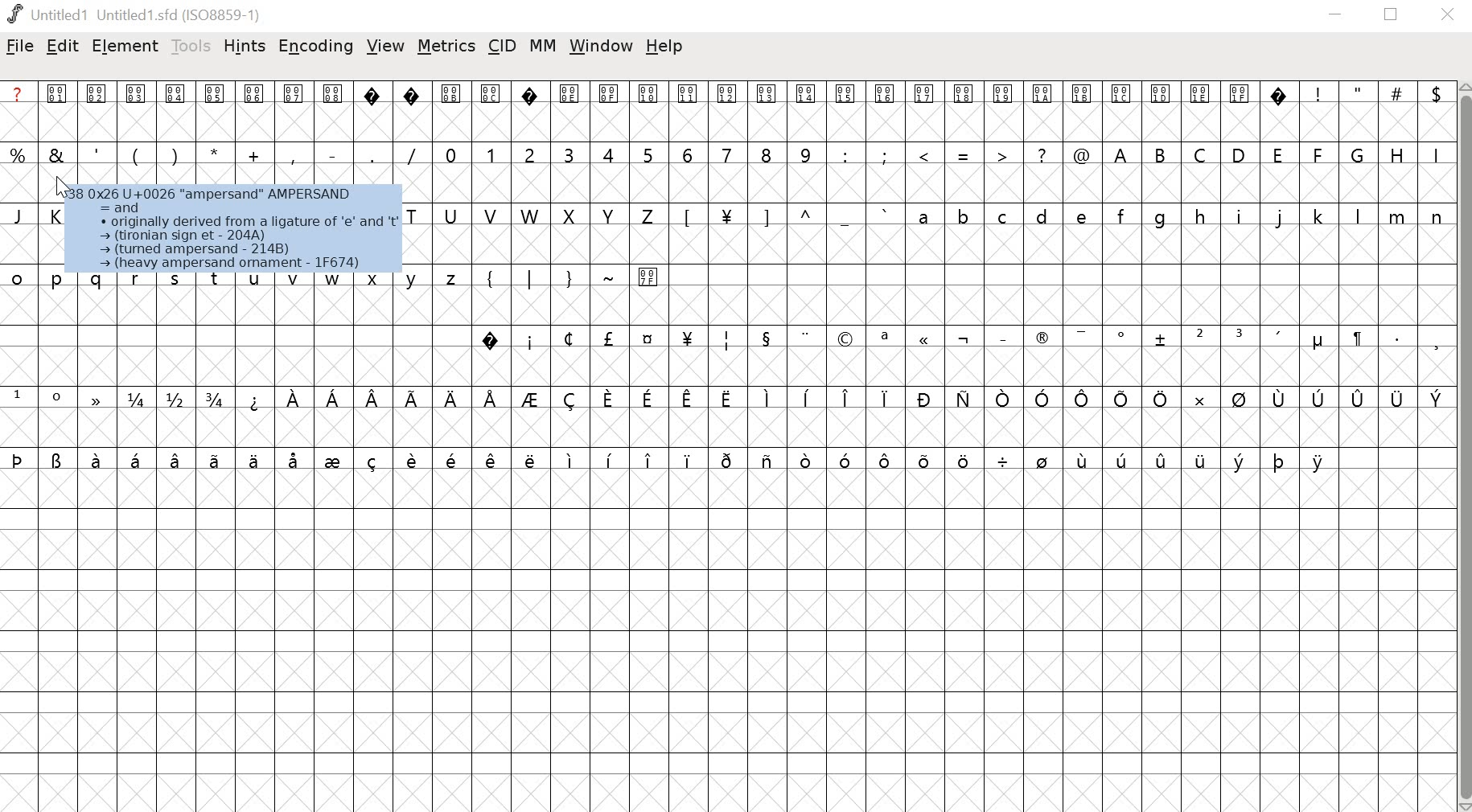 This screenshot has height=812, width=1472. Describe the element at coordinates (845, 340) in the screenshot. I see `symbol` at that location.